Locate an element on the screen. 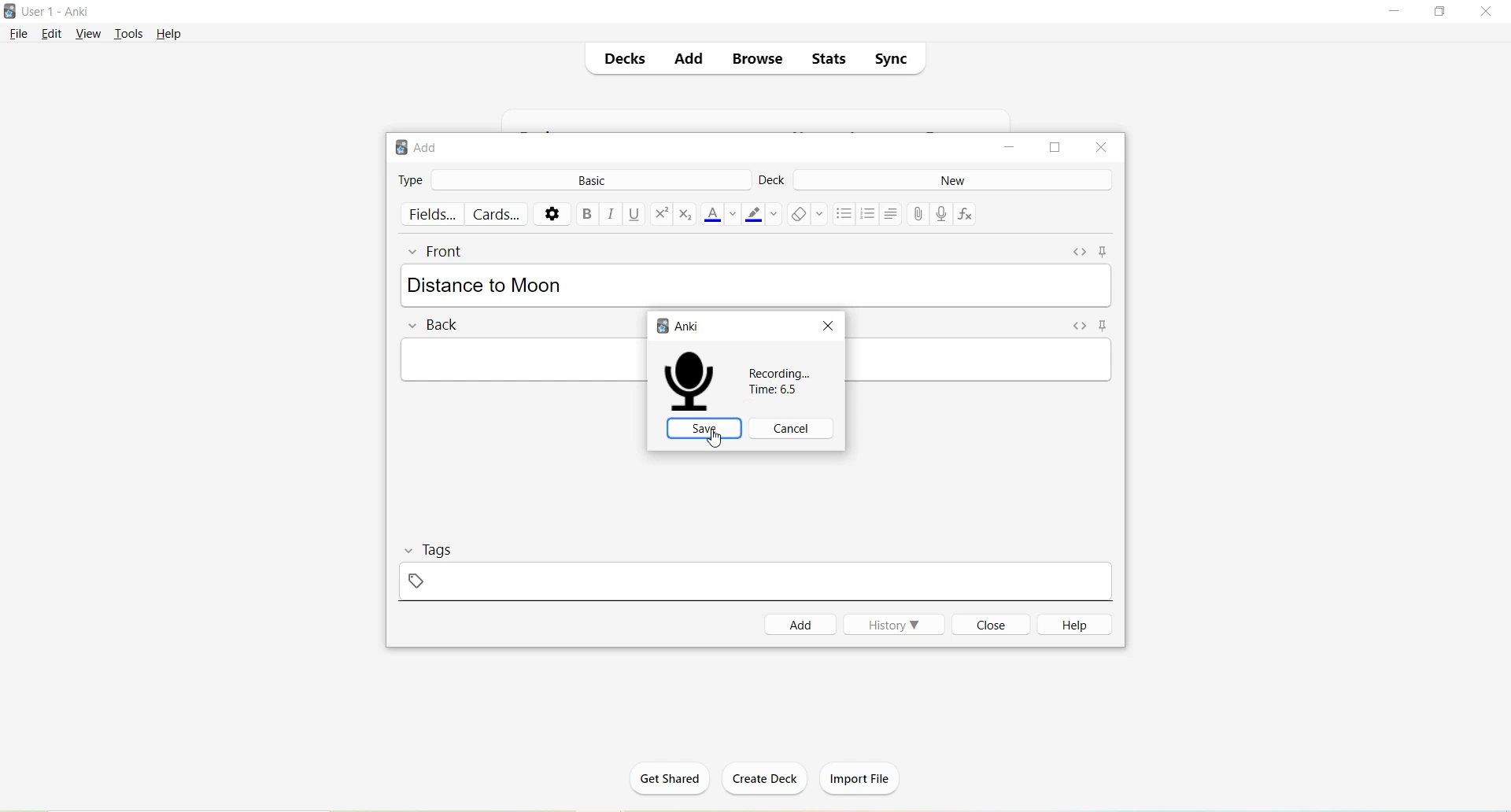 The image size is (1511, 812). Remove formatting is located at coordinates (807, 216).